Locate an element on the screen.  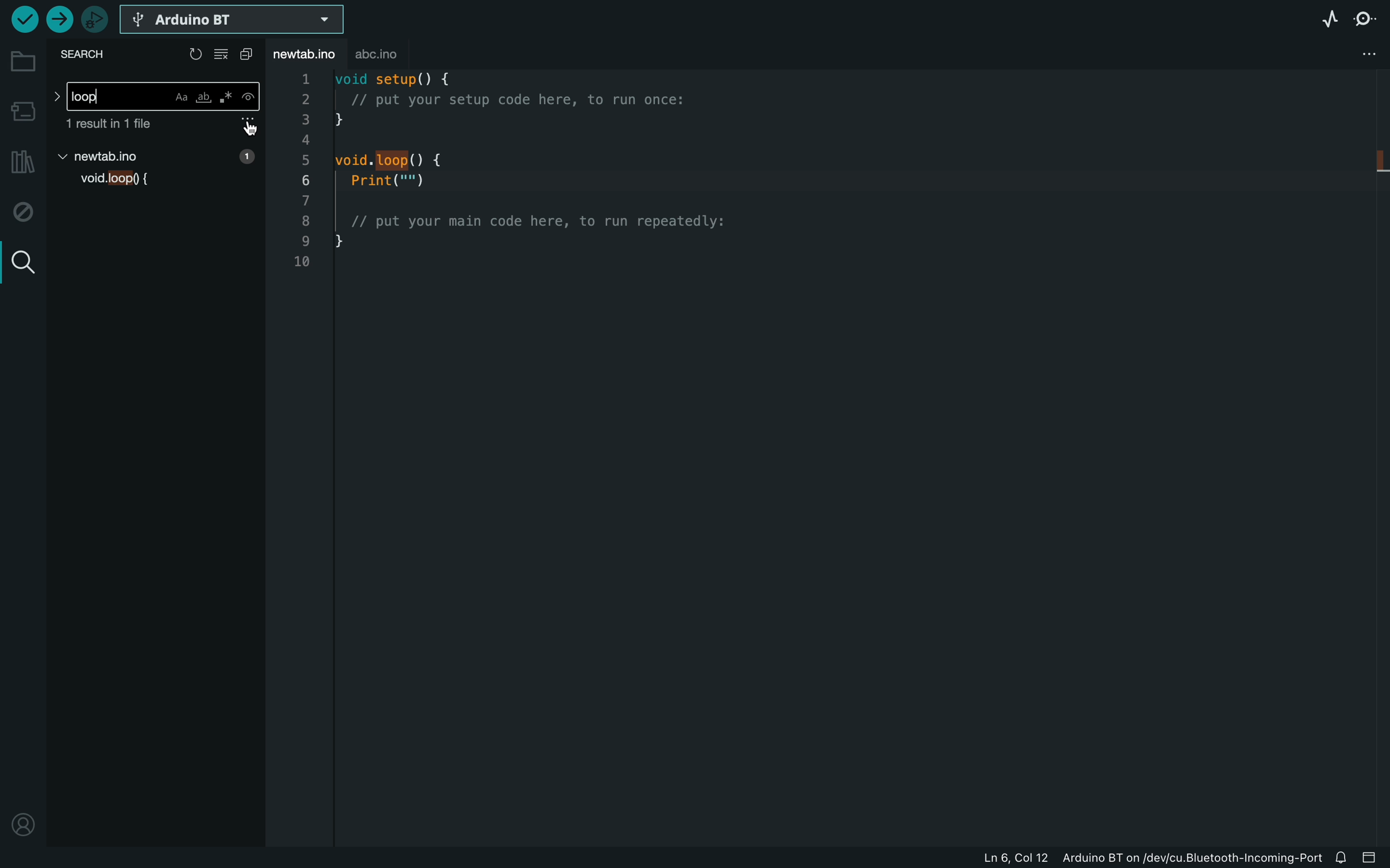
file setting is located at coordinates (1362, 54).